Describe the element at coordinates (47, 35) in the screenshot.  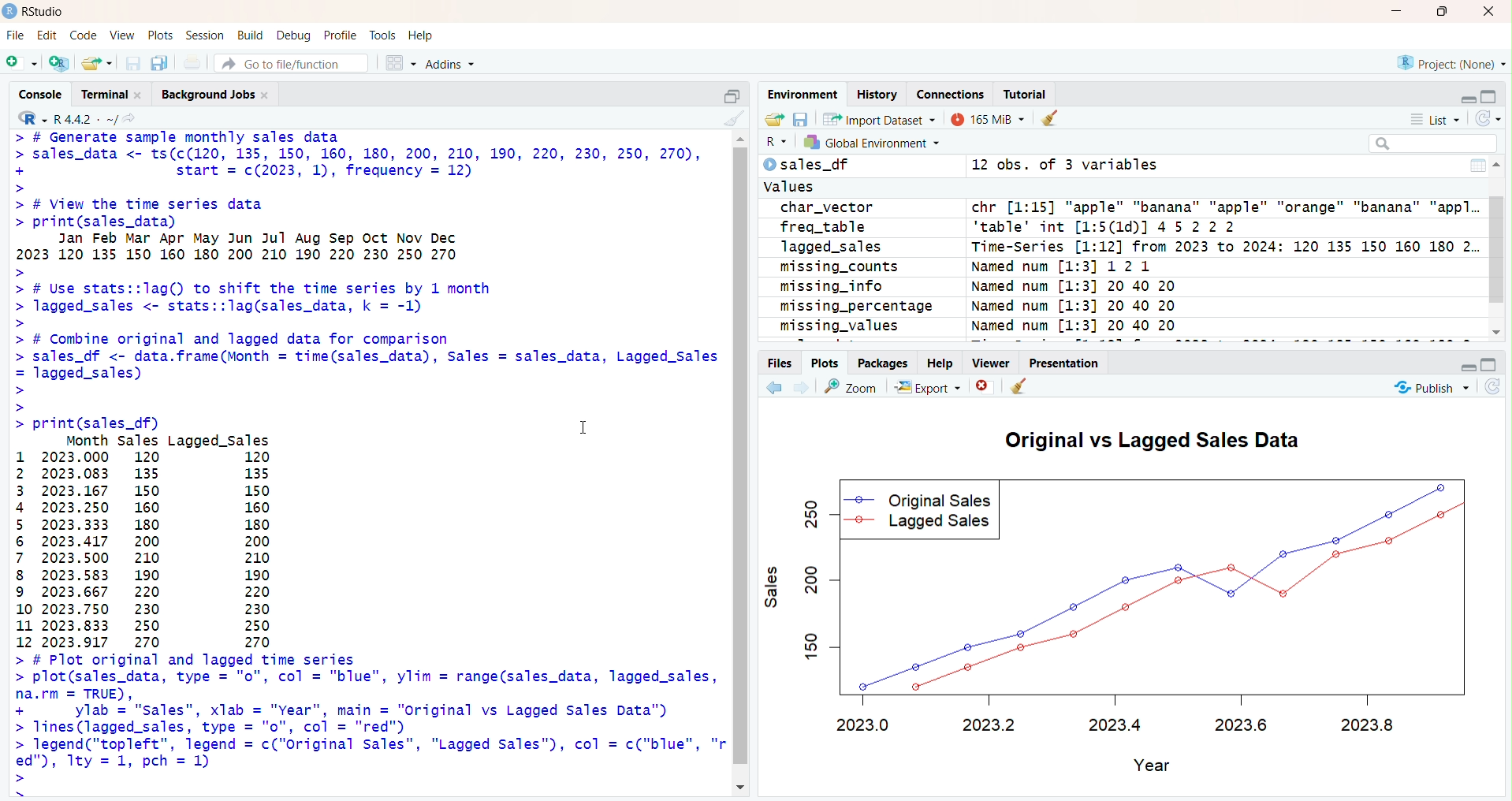
I see `edit` at that location.